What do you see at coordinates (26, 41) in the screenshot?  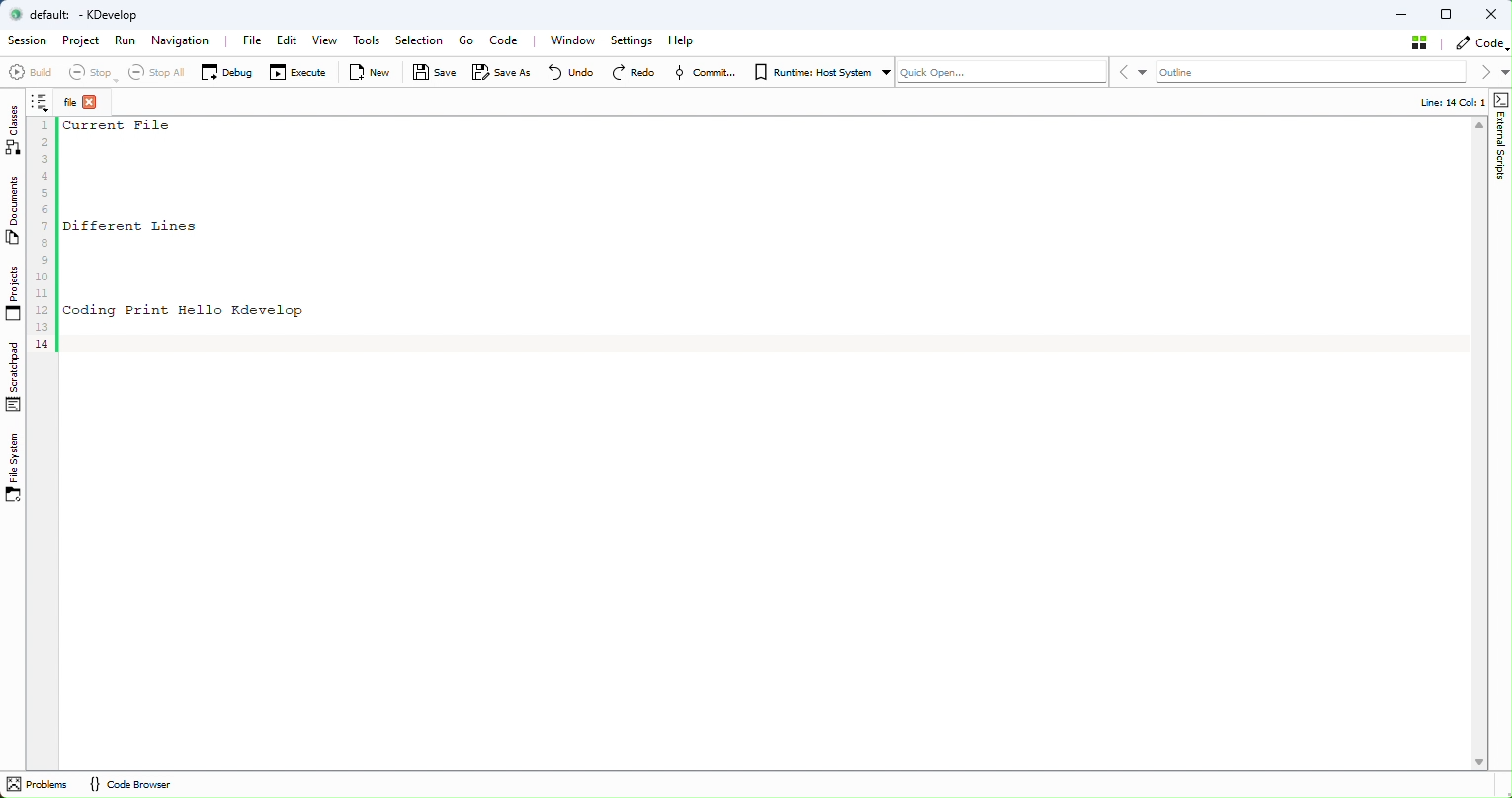 I see `Session` at bounding box center [26, 41].